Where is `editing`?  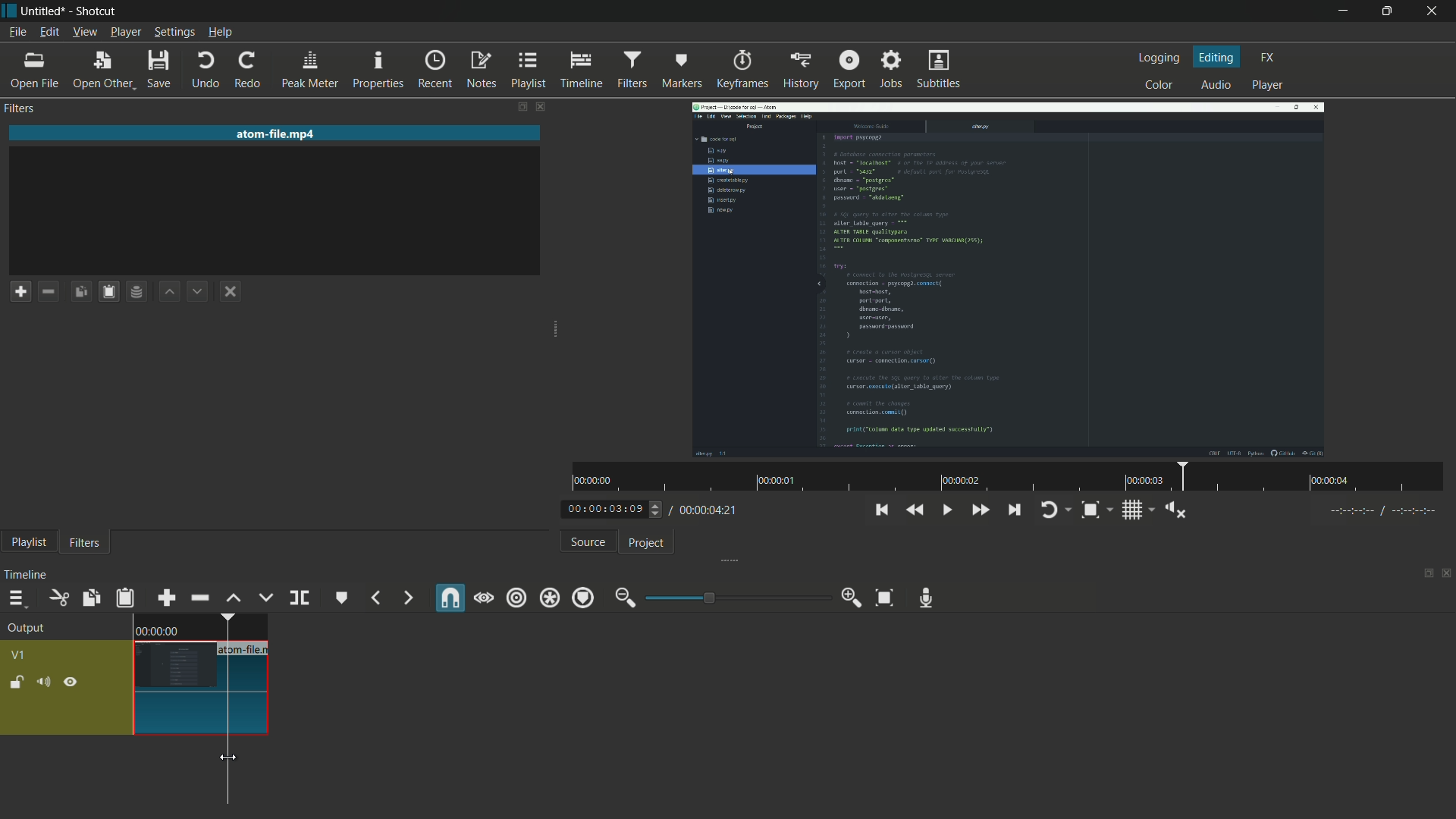 editing is located at coordinates (1217, 57).